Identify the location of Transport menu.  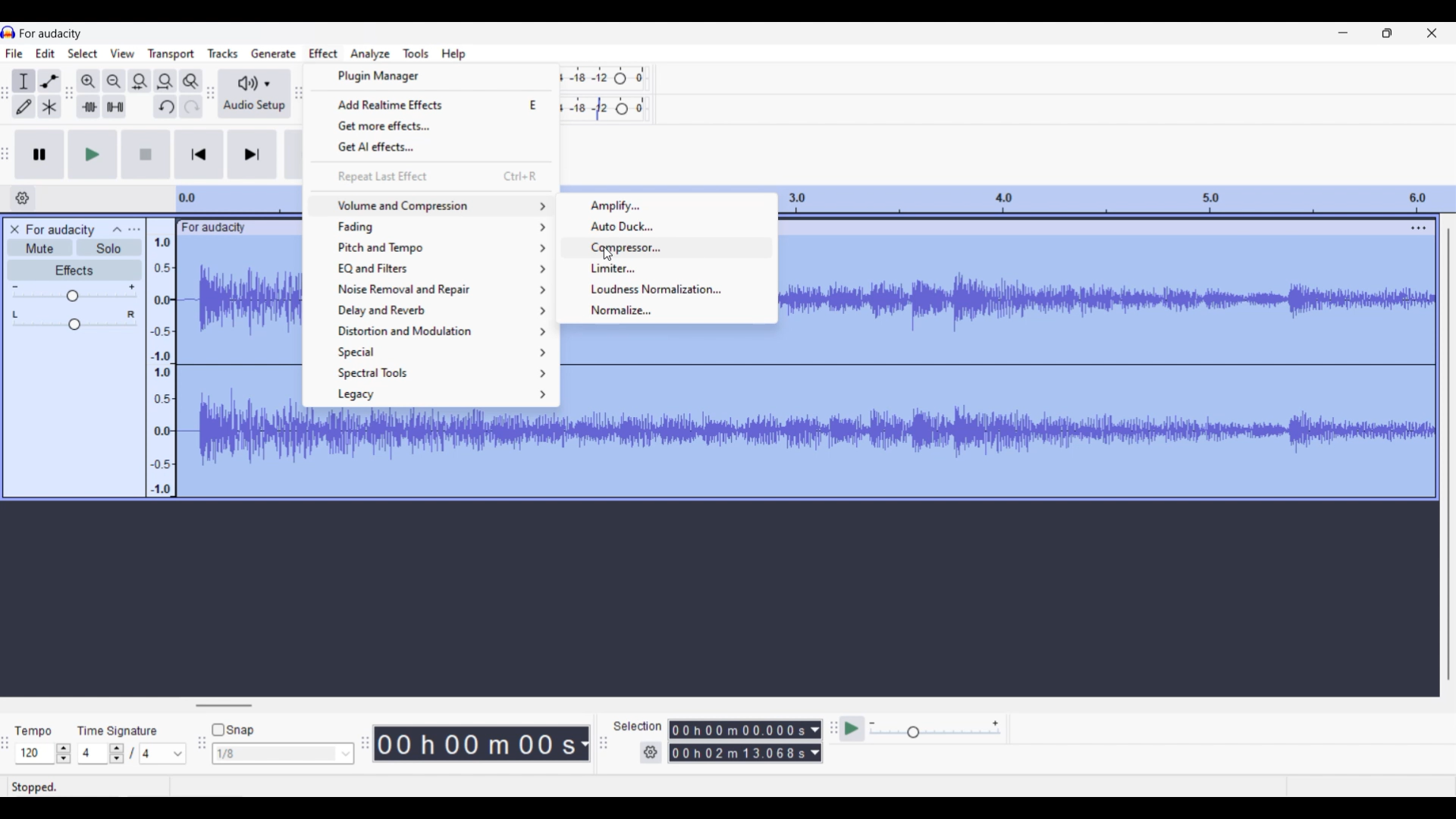
(171, 55).